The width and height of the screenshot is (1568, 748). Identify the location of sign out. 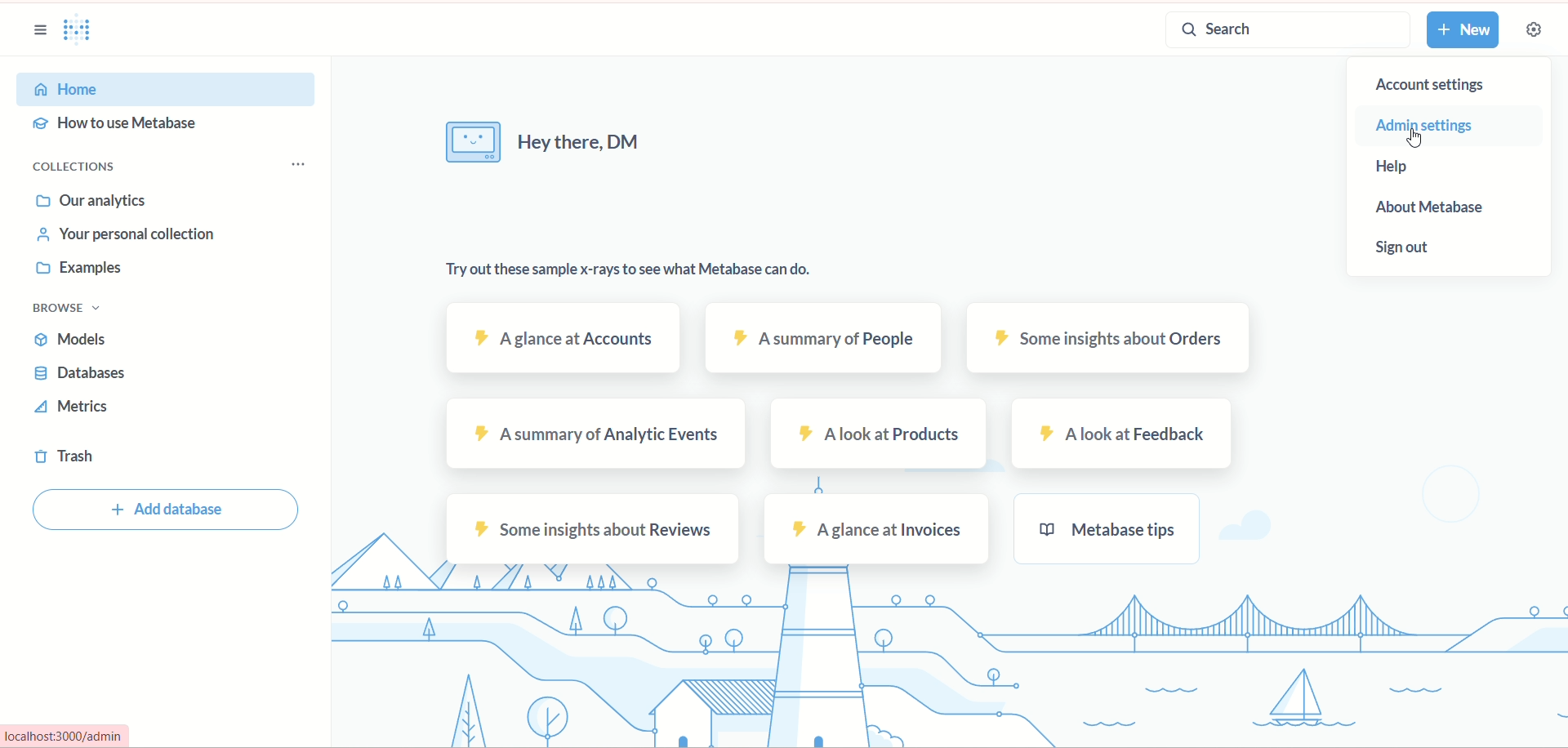
(1408, 248).